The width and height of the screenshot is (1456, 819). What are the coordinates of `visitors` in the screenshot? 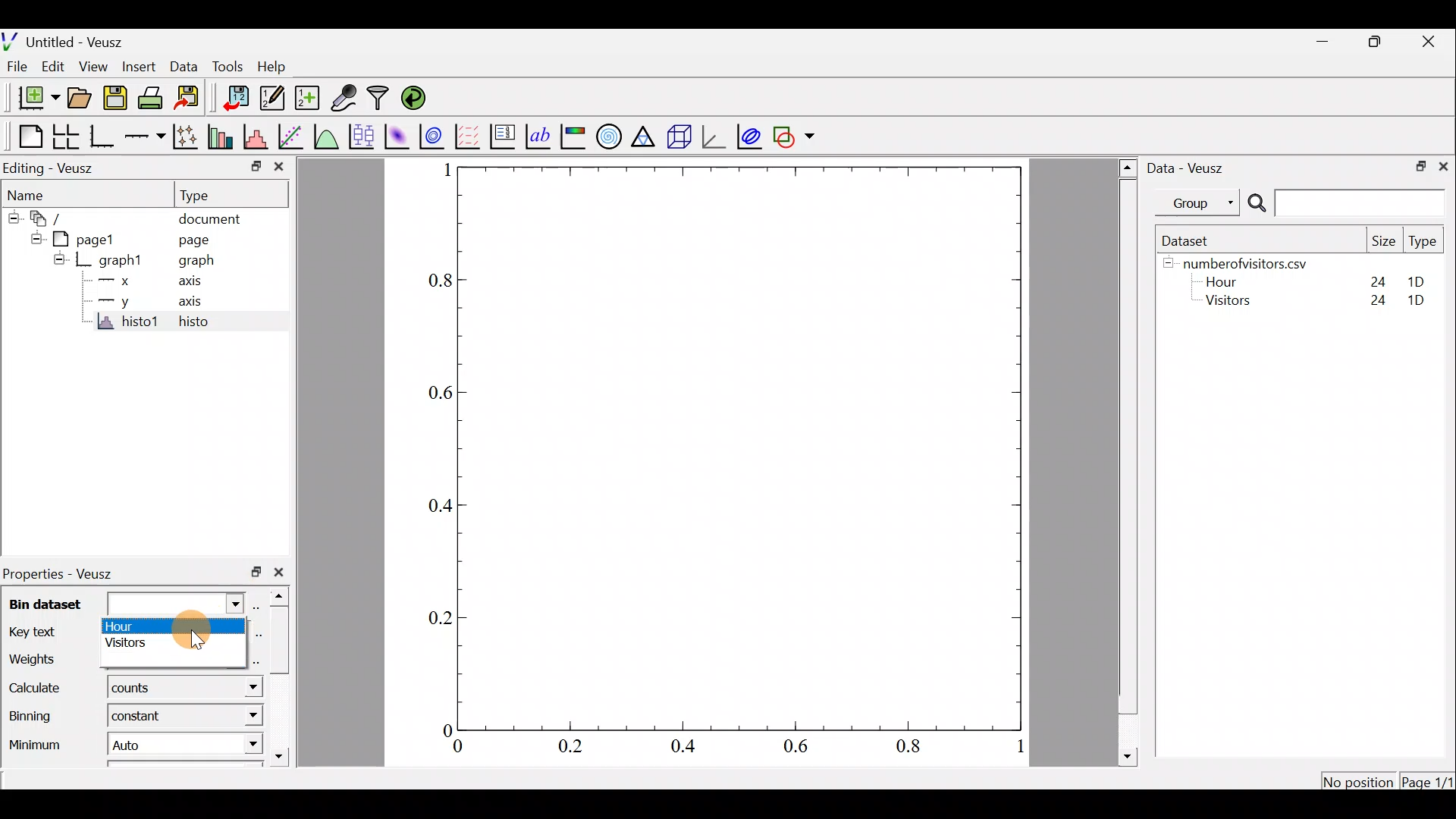 It's located at (137, 647).